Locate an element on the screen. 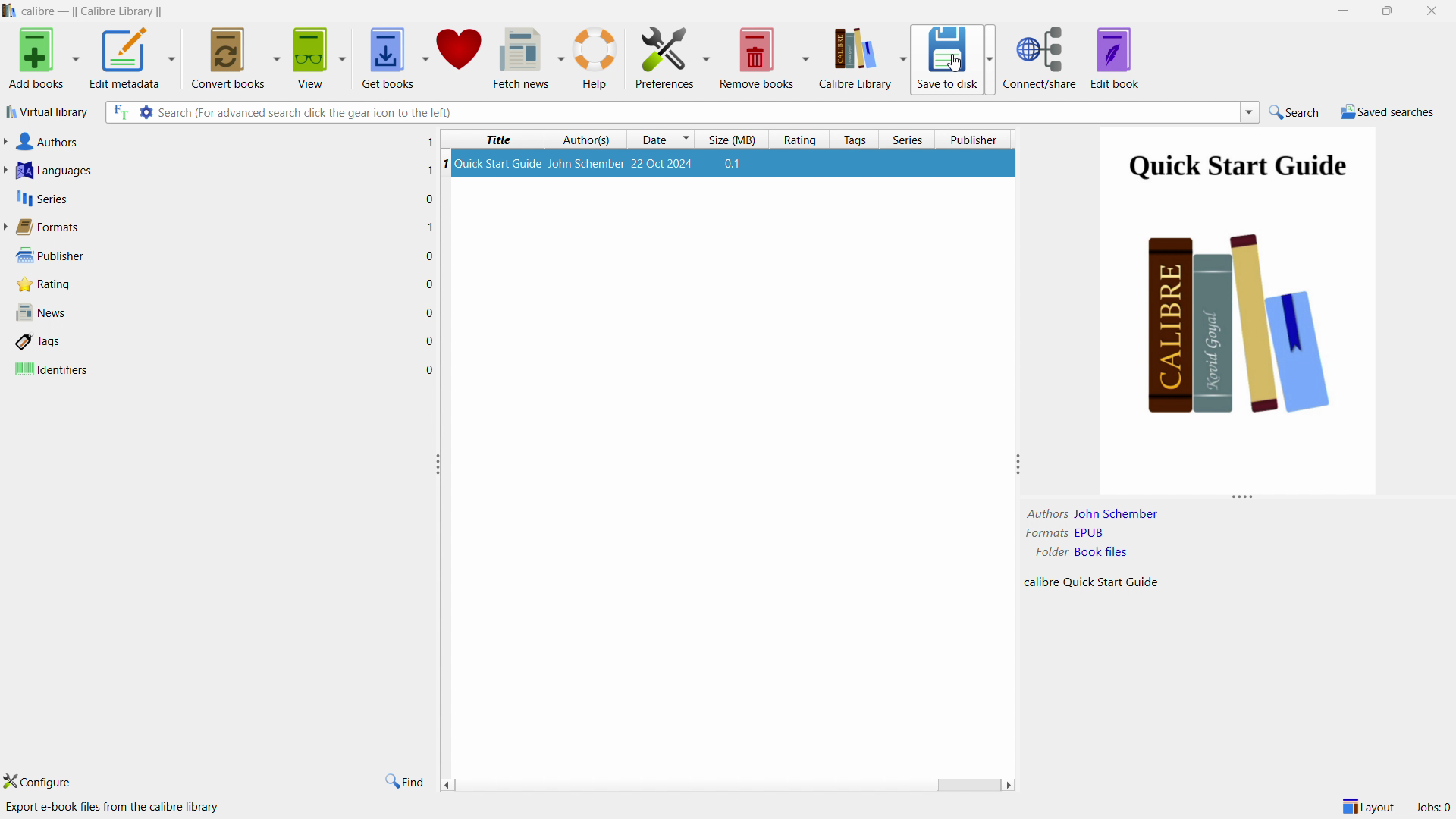 The image size is (1456, 819). News is located at coordinates (49, 311).